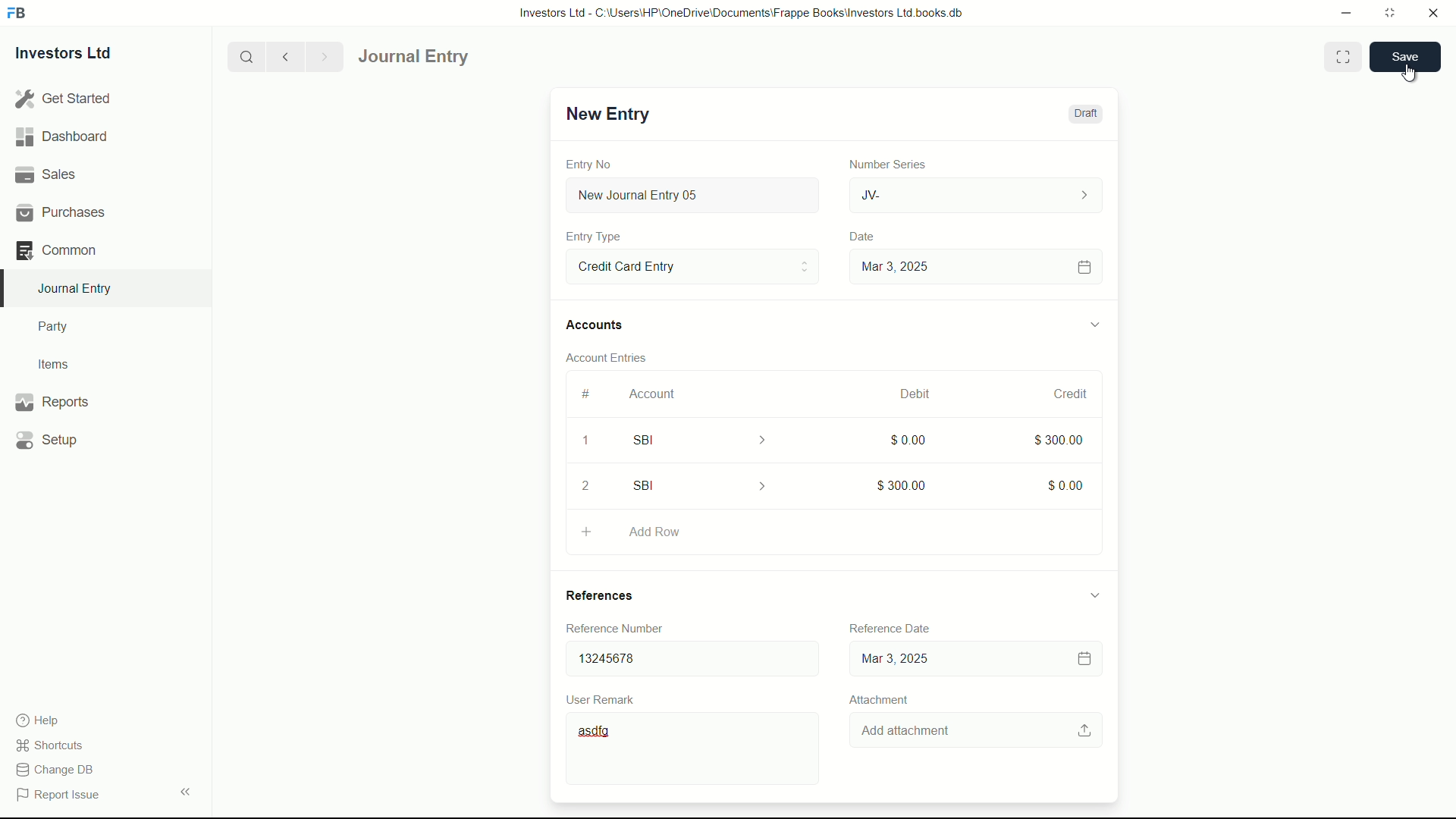  What do you see at coordinates (864, 237) in the screenshot?
I see `Date` at bounding box center [864, 237].